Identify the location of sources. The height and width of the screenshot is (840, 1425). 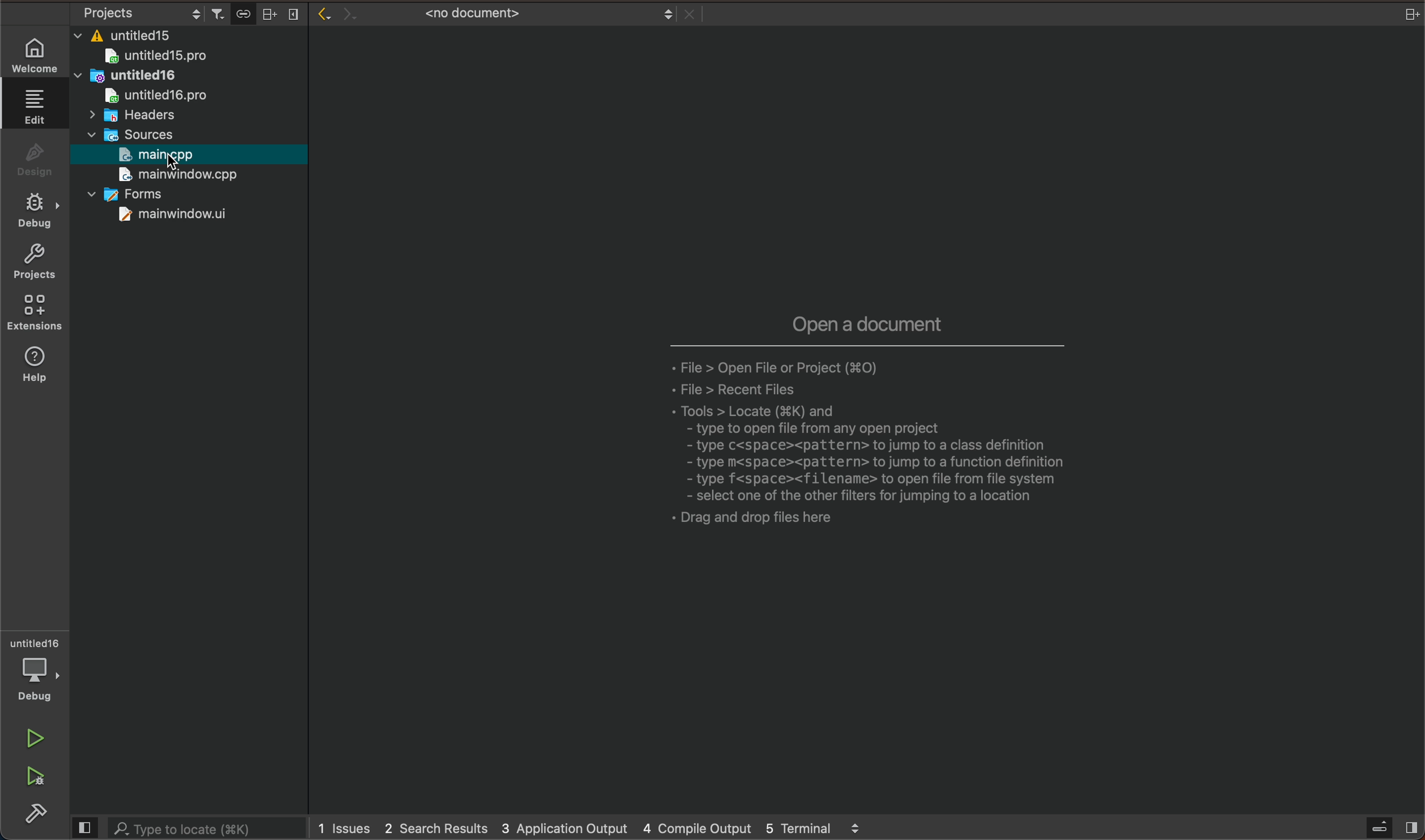
(140, 133).